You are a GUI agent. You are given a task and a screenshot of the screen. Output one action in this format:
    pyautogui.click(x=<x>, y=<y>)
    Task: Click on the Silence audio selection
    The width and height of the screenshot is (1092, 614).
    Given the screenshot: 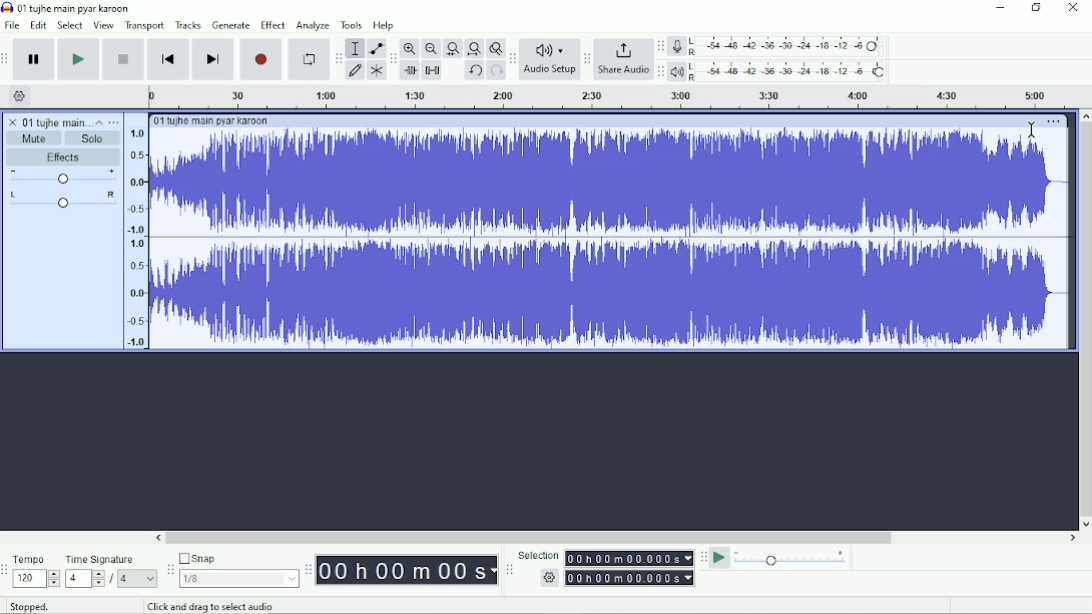 What is the action you would take?
    pyautogui.click(x=433, y=70)
    